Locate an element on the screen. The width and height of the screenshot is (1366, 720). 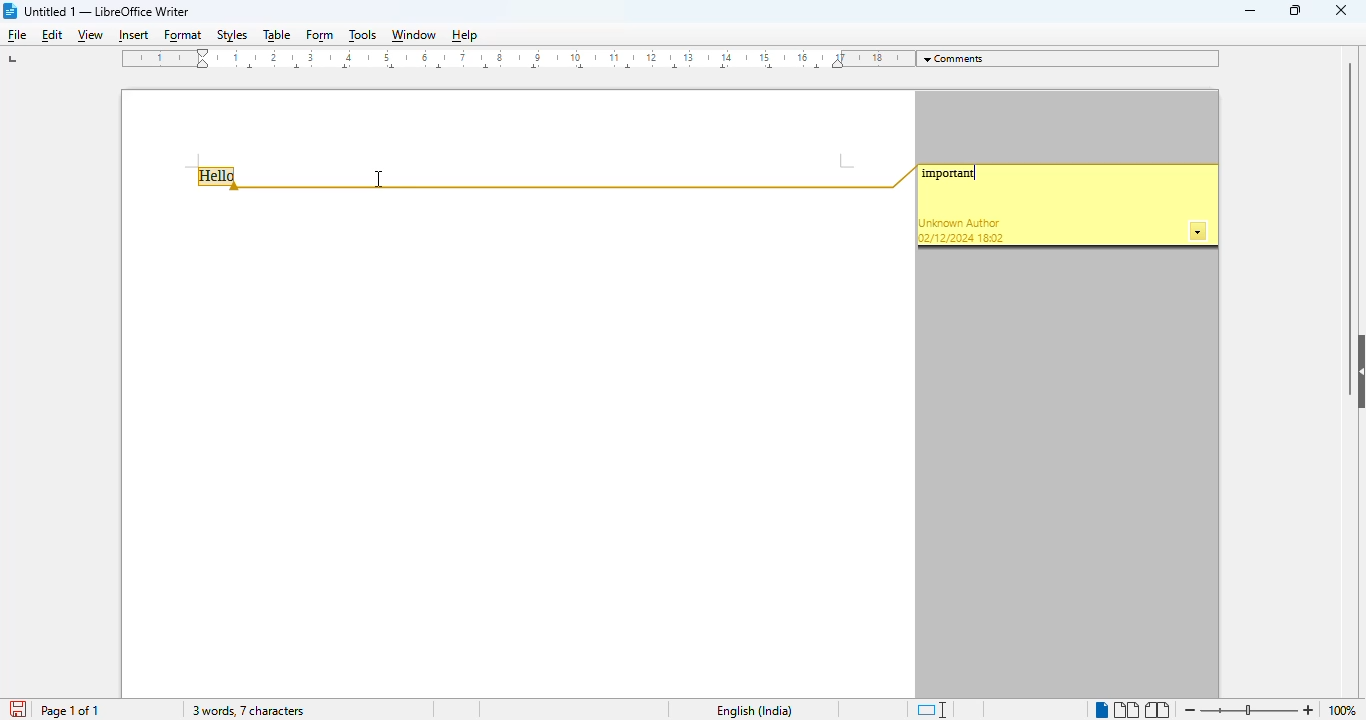
page 1 of 1 is located at coordinates (69, 711).